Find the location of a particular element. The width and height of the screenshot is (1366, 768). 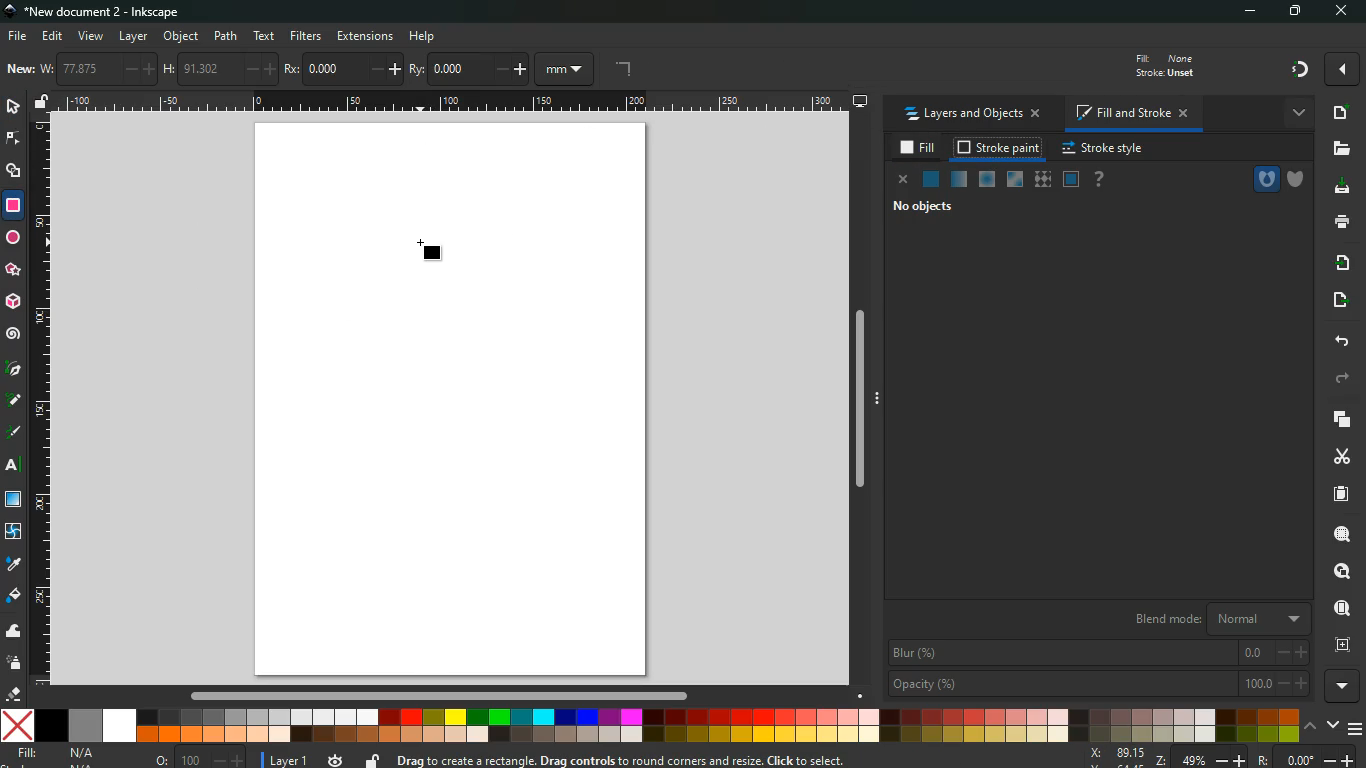

ellipse is located at coordinates (11, 236).